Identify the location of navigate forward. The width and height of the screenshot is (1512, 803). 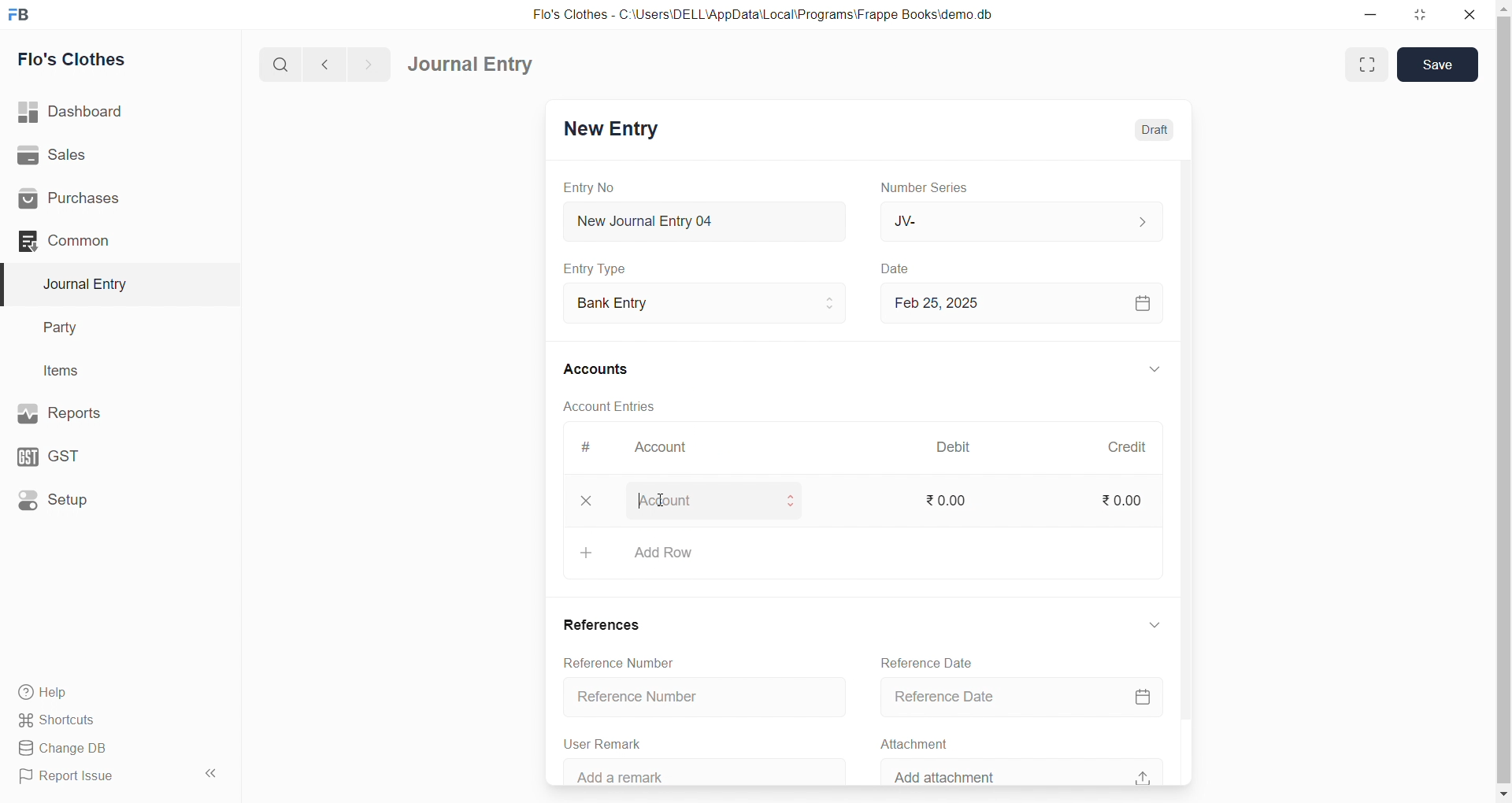
(368, 63).